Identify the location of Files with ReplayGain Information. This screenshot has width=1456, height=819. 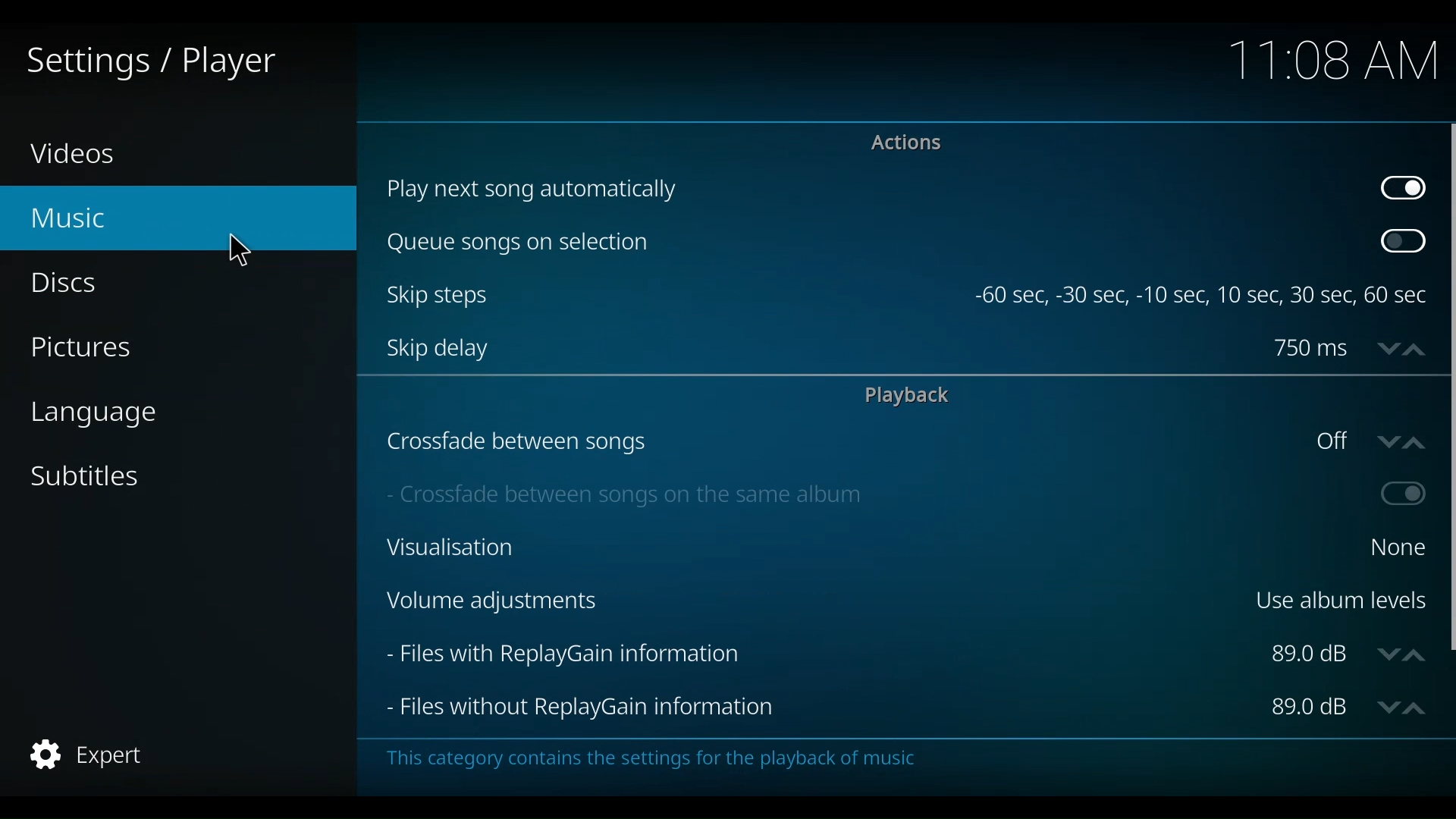
(817, 654).